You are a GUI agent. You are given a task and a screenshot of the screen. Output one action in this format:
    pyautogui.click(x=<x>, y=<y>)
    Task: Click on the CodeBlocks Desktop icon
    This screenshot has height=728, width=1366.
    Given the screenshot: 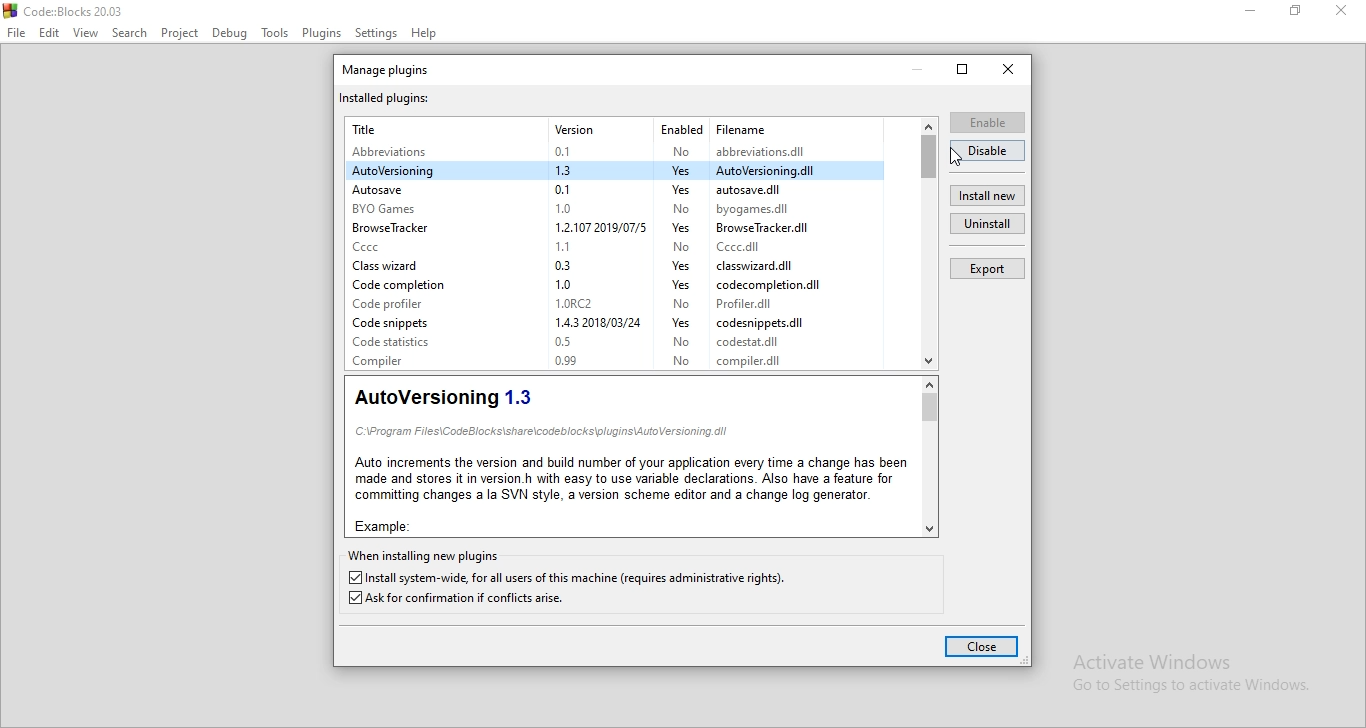 What is the action you would take?
    pyautogui.click(x=9, y=10)
    